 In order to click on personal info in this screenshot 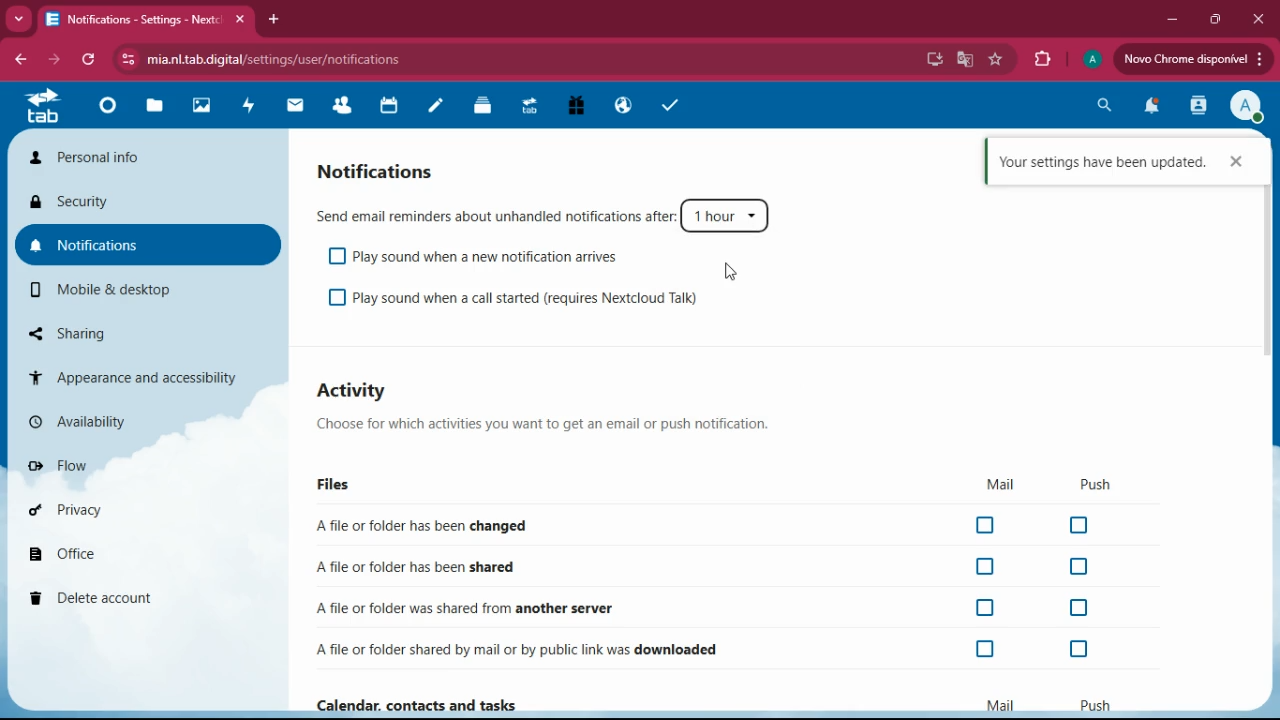, I will do `click(148, 156)`.